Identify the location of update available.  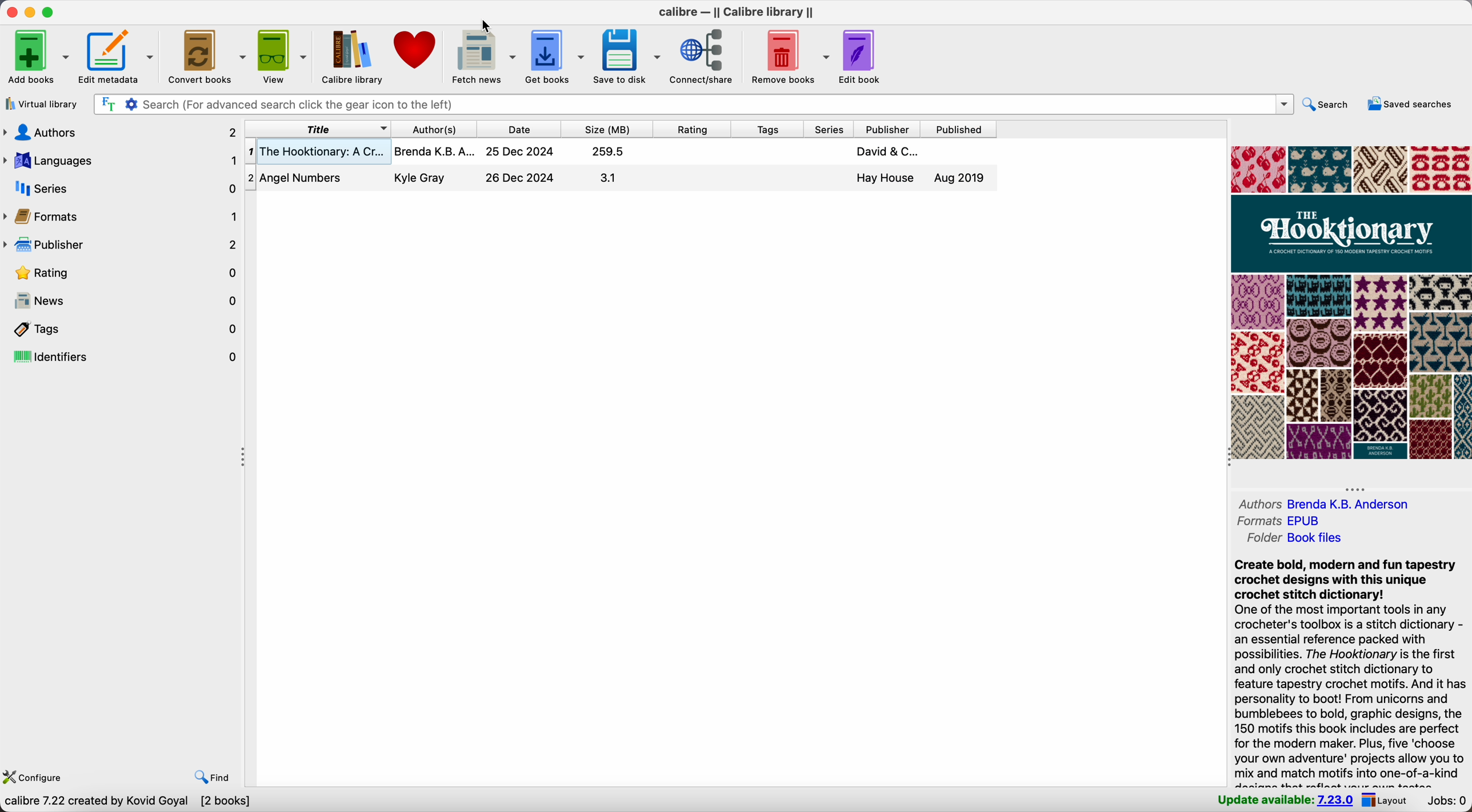
(1285, 798).